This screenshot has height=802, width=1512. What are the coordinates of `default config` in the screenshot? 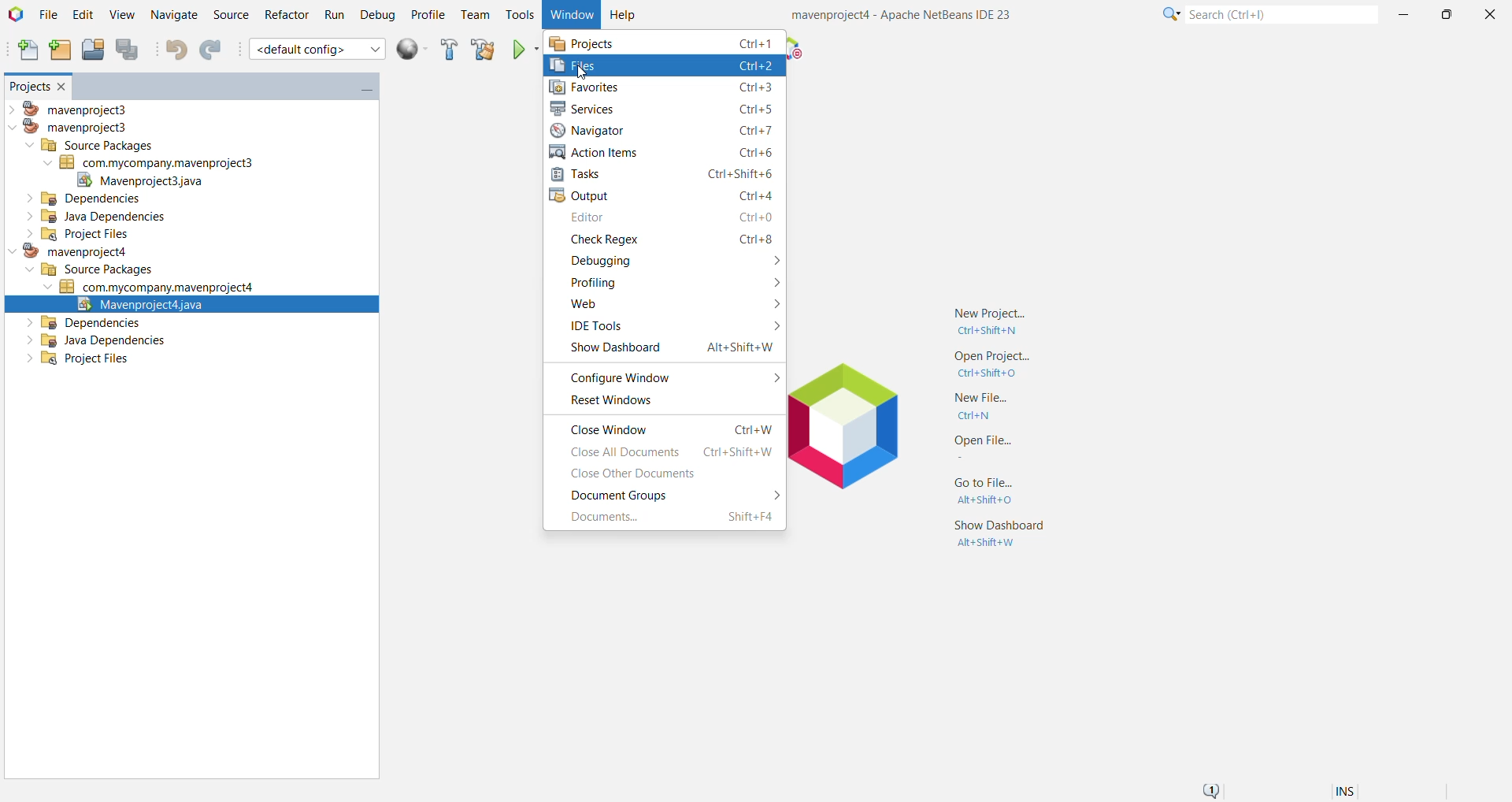 It's located at (319, 50).